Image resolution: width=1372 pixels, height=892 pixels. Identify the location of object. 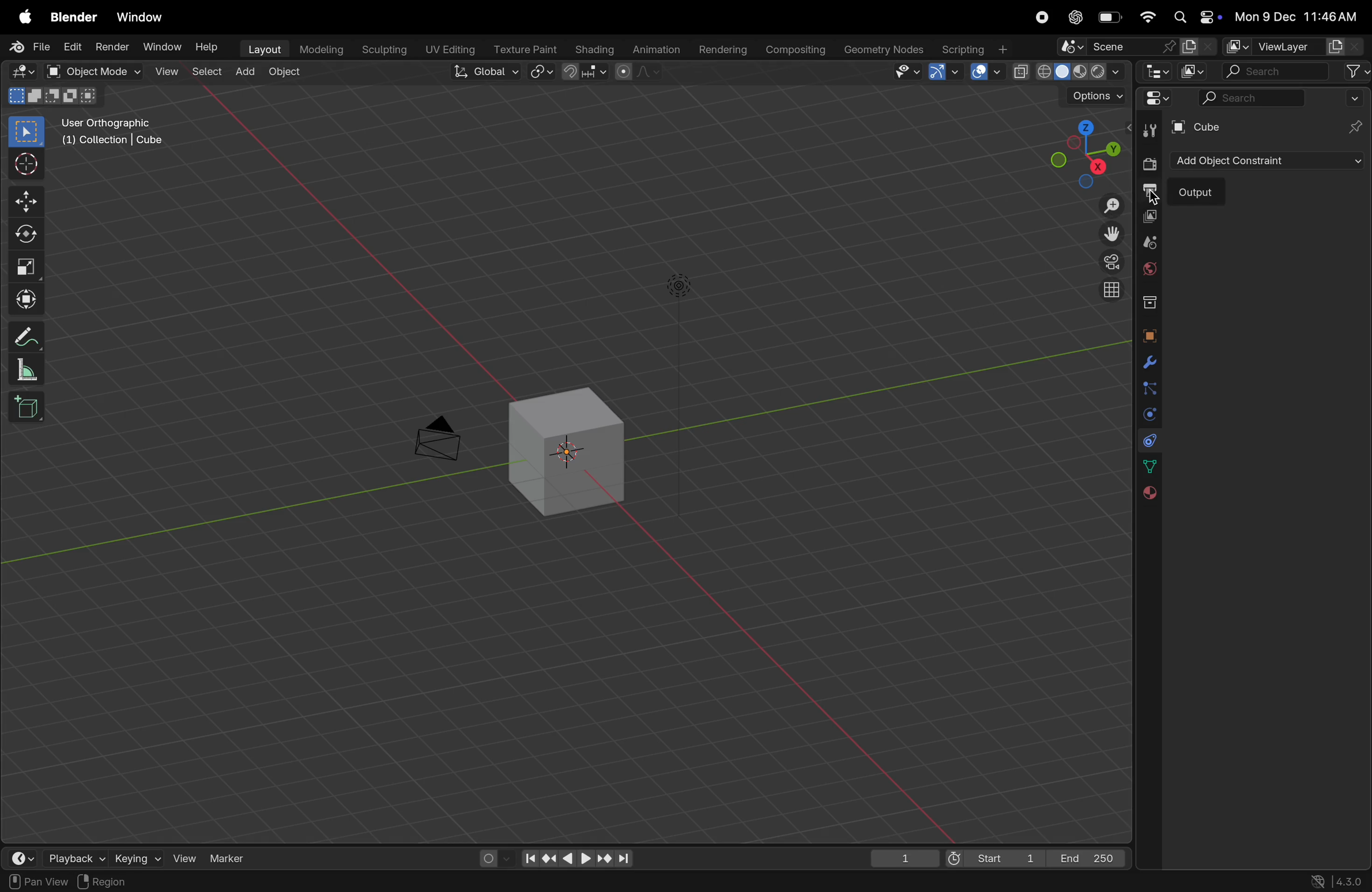
(282, 74).